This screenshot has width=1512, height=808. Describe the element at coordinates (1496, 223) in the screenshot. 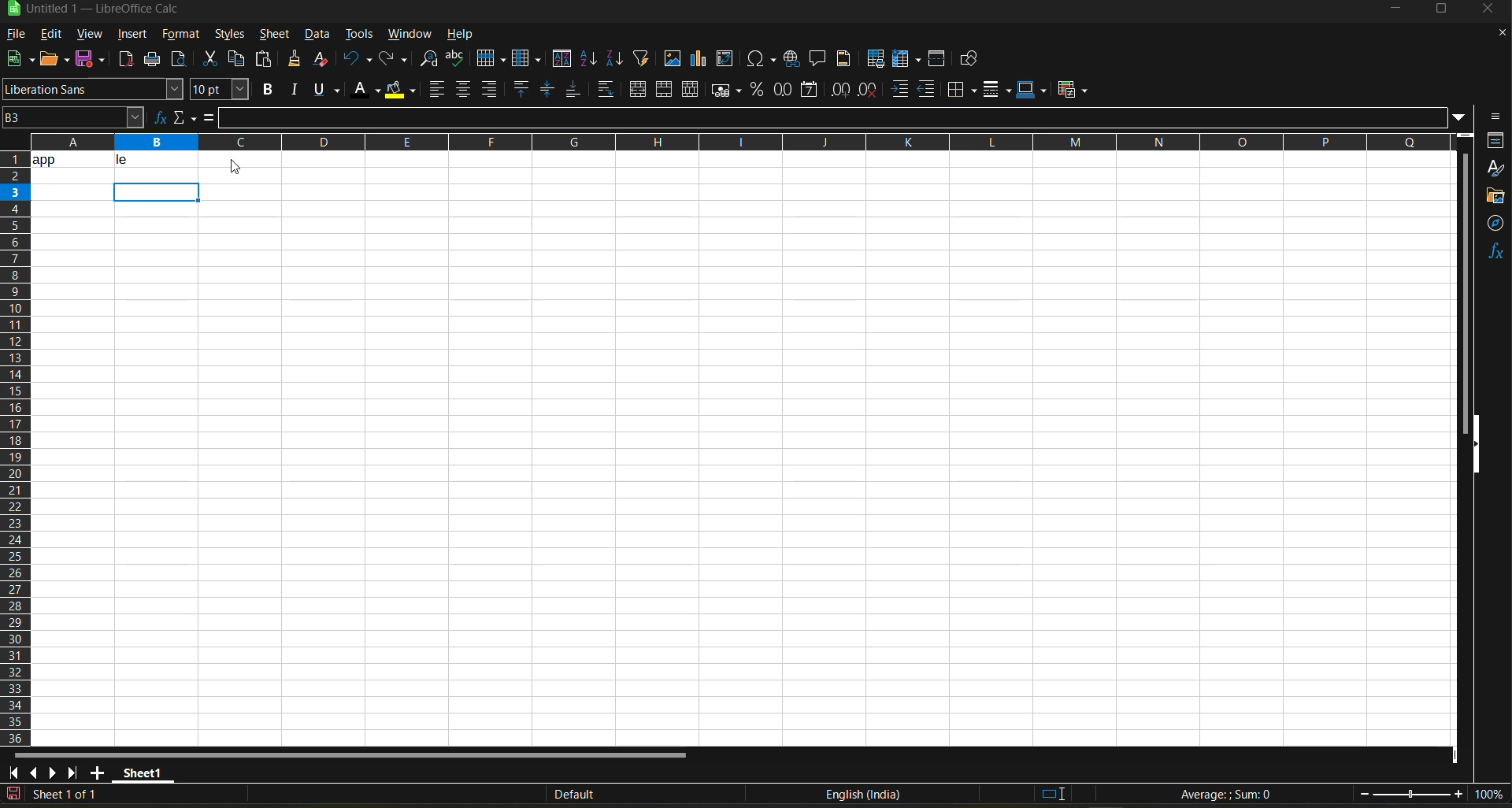

I see `navigator` at that location.